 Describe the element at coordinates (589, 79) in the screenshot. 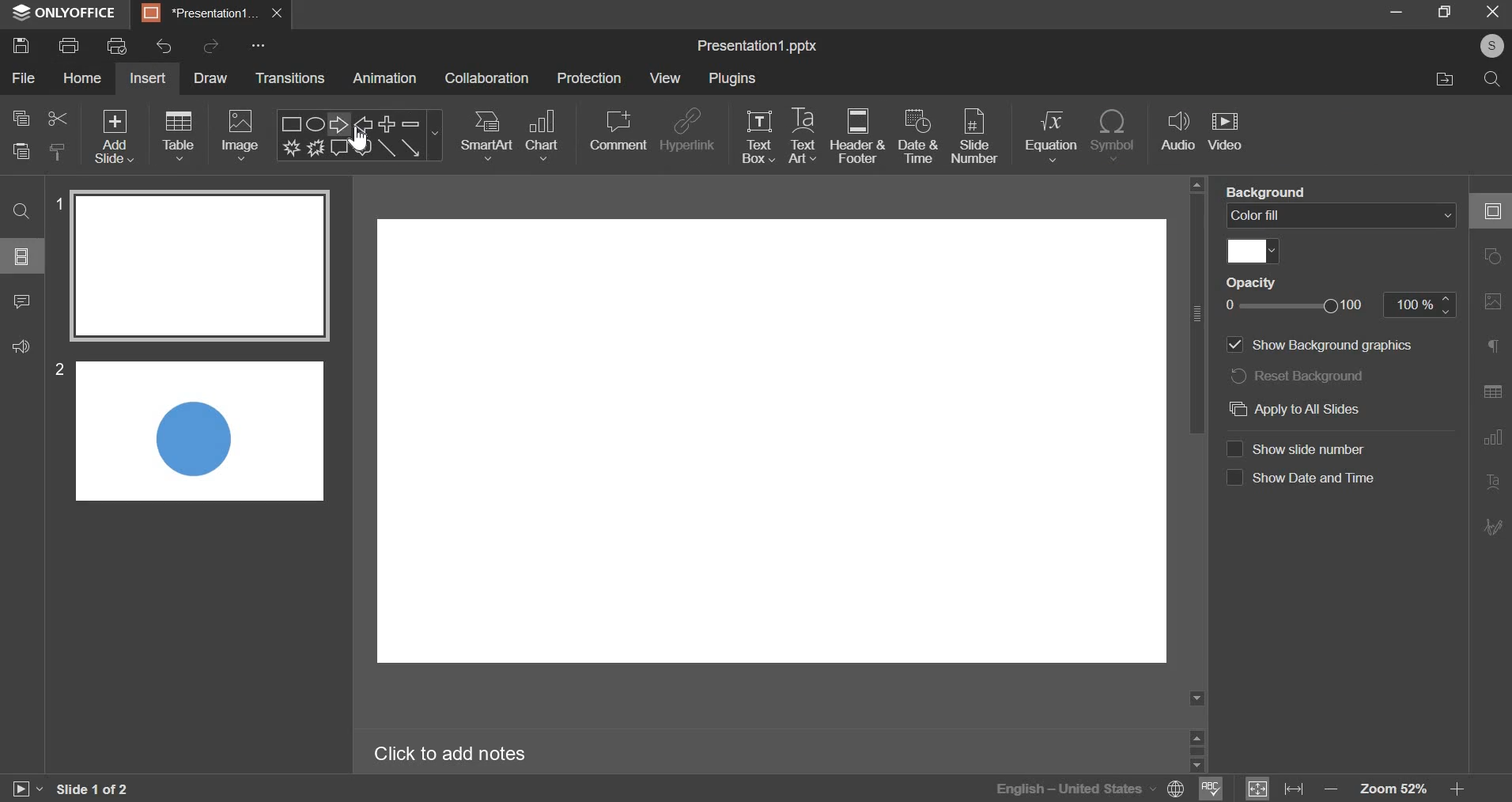

I see `protection` at that location.